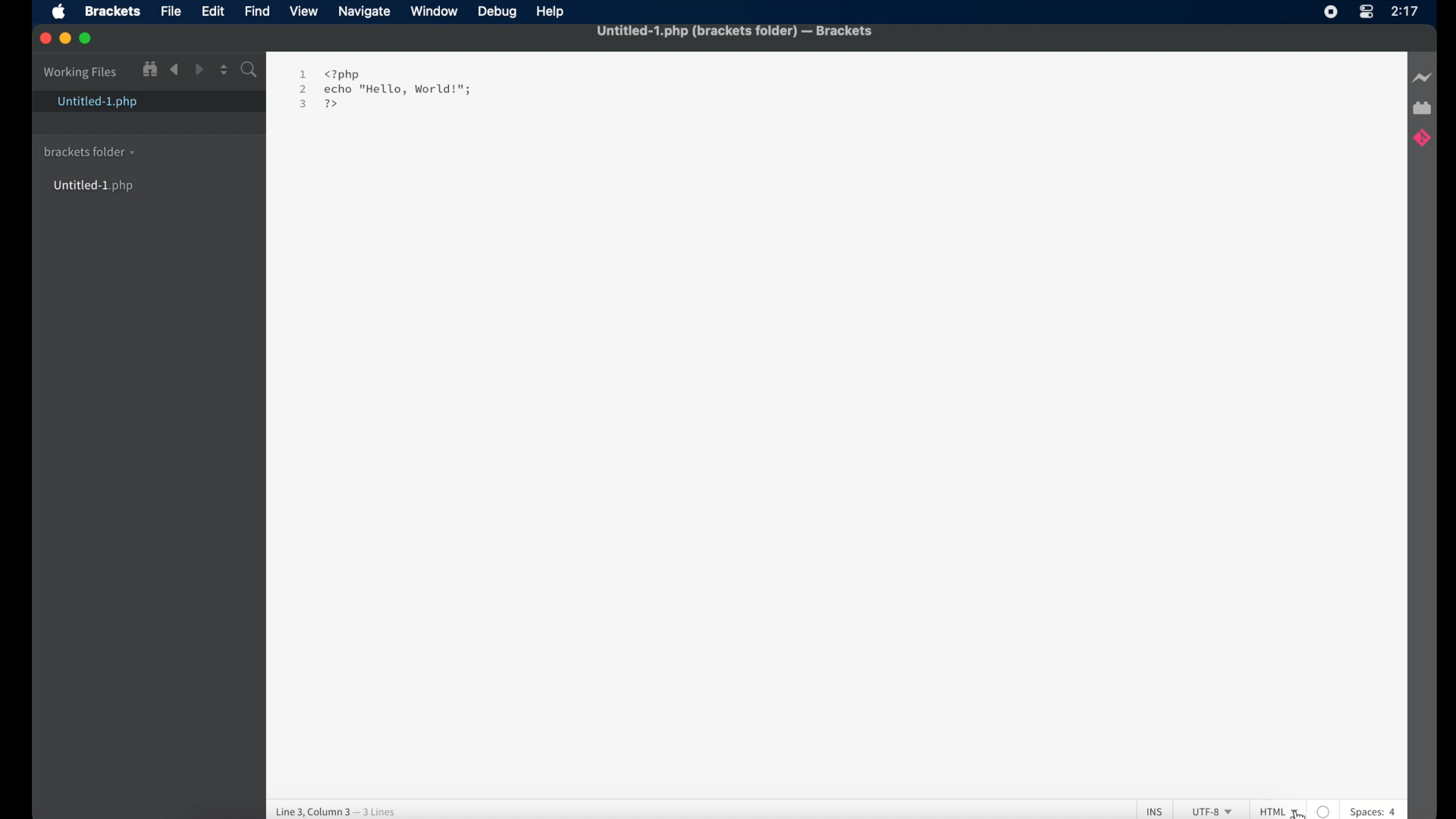 The height and width of the screenshot is (819, 1456). Describe the element at coordinates (340, 809) in the screenshot. I see `line 3, column 3 - 3 lines` at that location.